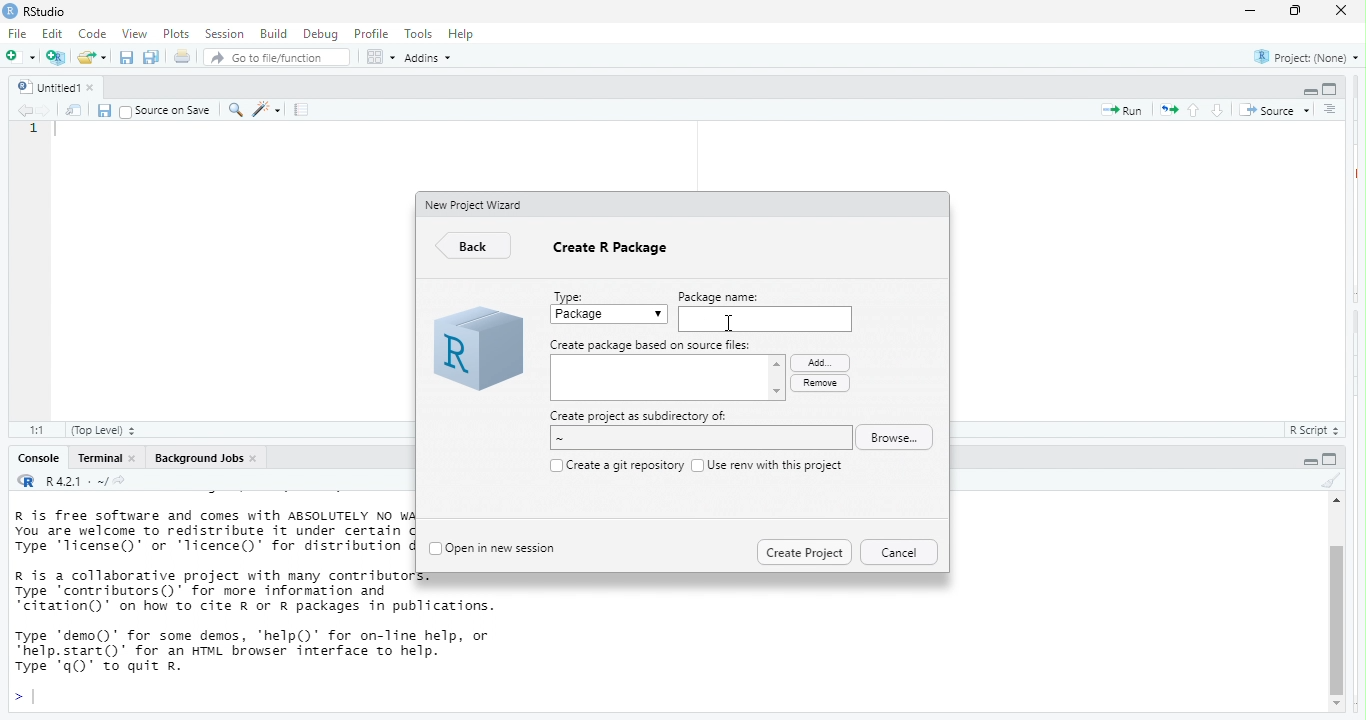 This screenshot has height=720, width=1366. I want to click on scroll down, so click(1338, 705).